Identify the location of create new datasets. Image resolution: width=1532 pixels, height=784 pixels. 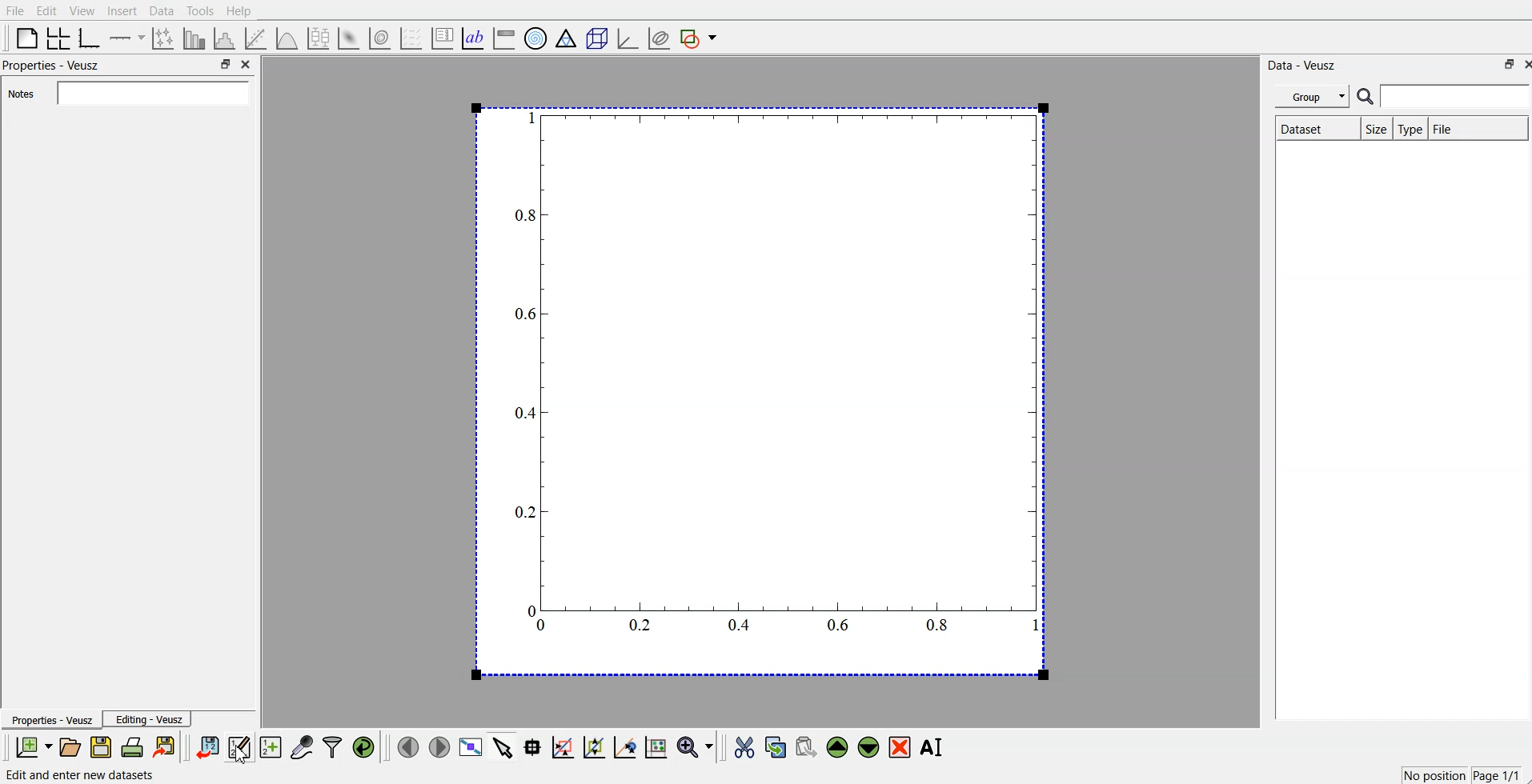
(271, 748).